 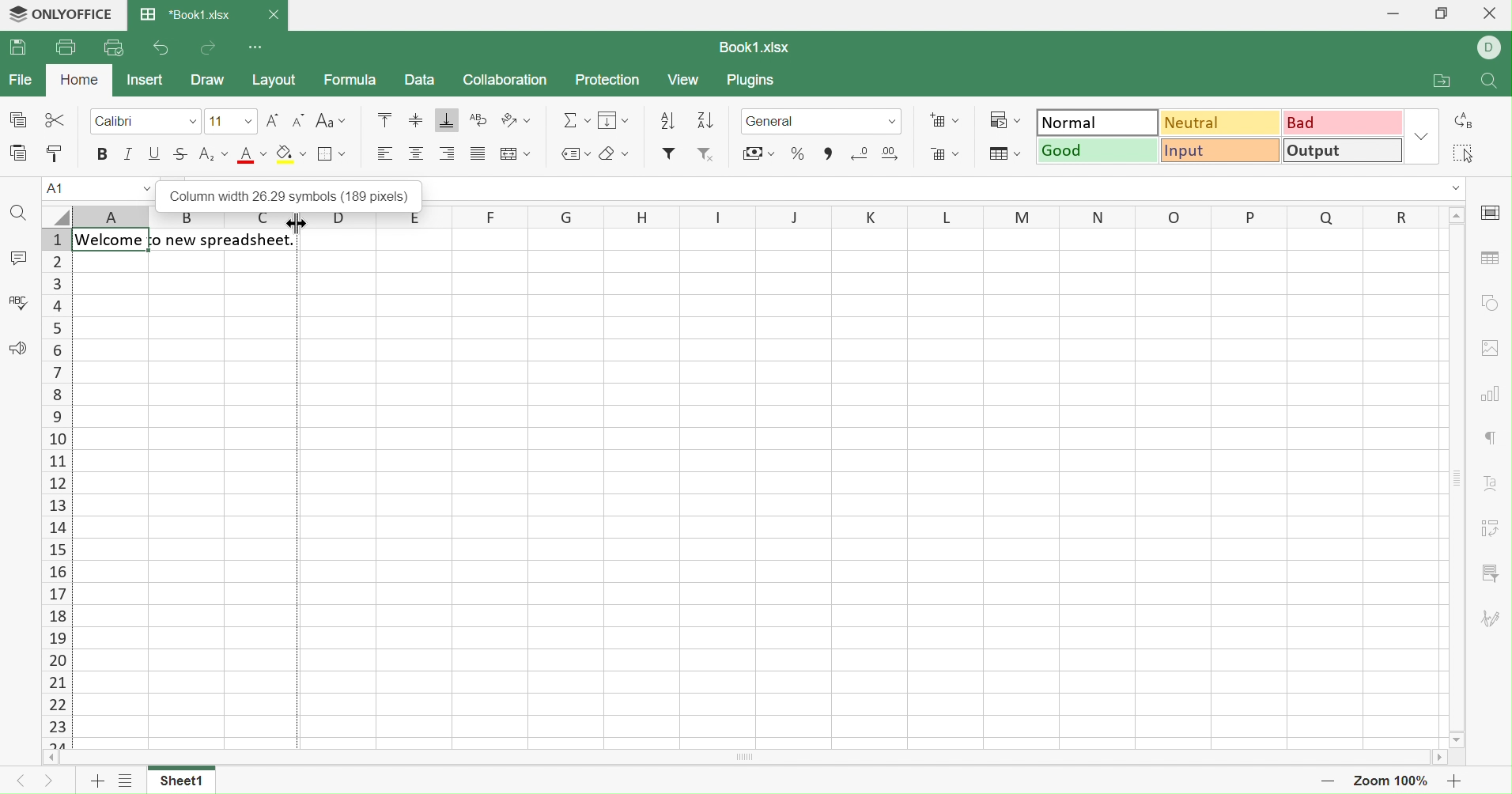 What do you see at coordinates (1495, 486) in the screenshot?
I see `Text Art settings` at bounding box center [1495, 486].